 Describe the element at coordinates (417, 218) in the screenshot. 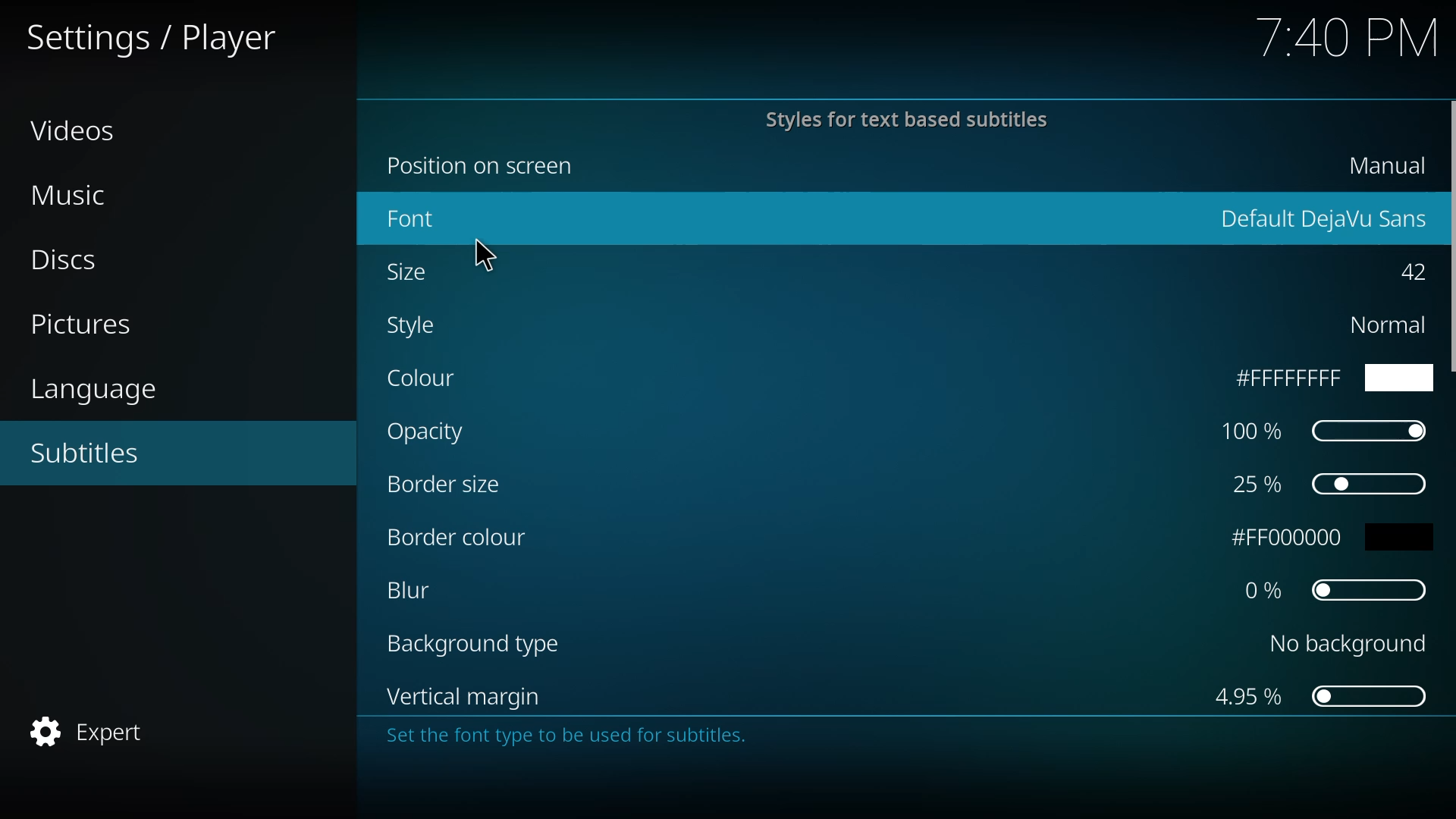

I see `font` at that location.